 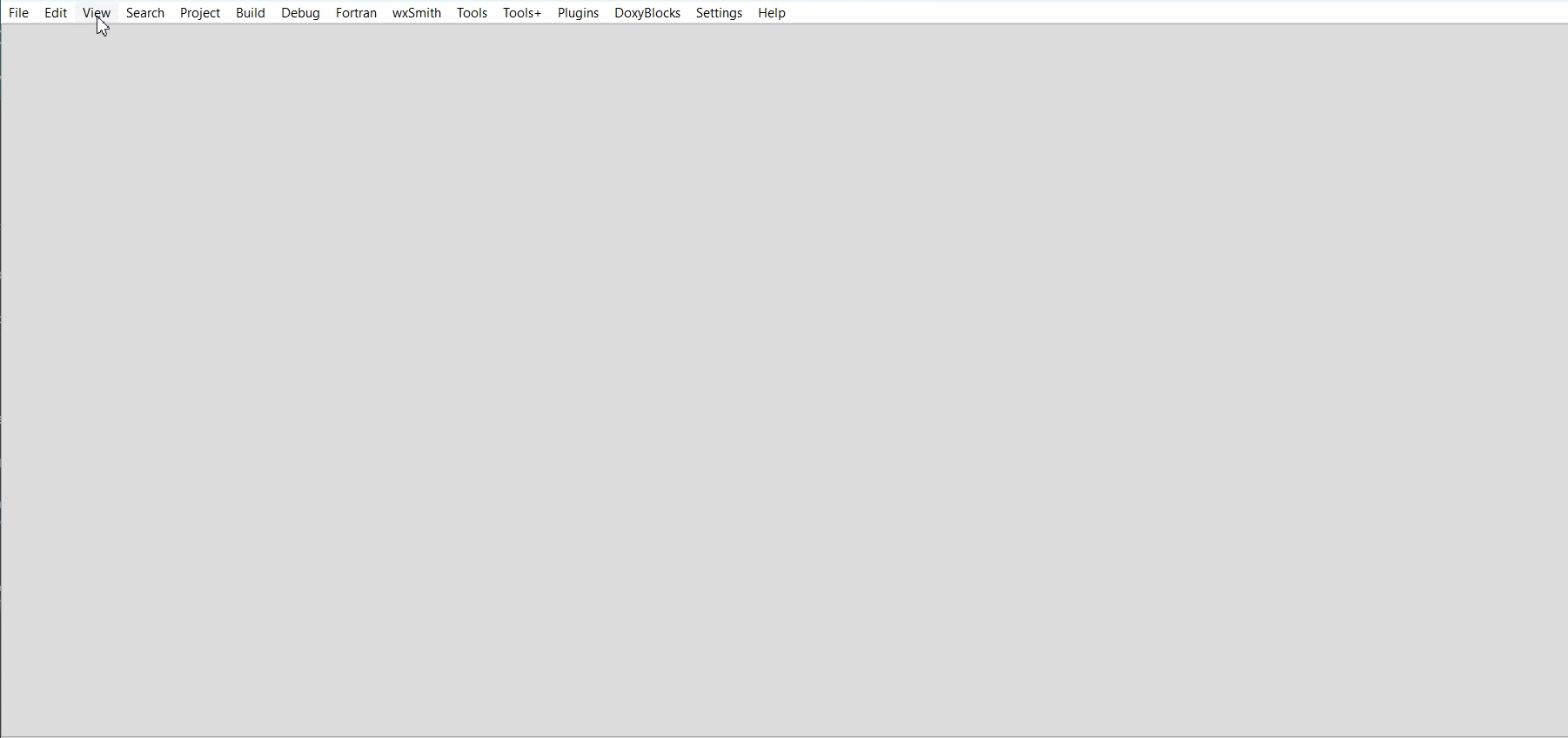 I want to click on Help, so click(x=770, y=14).